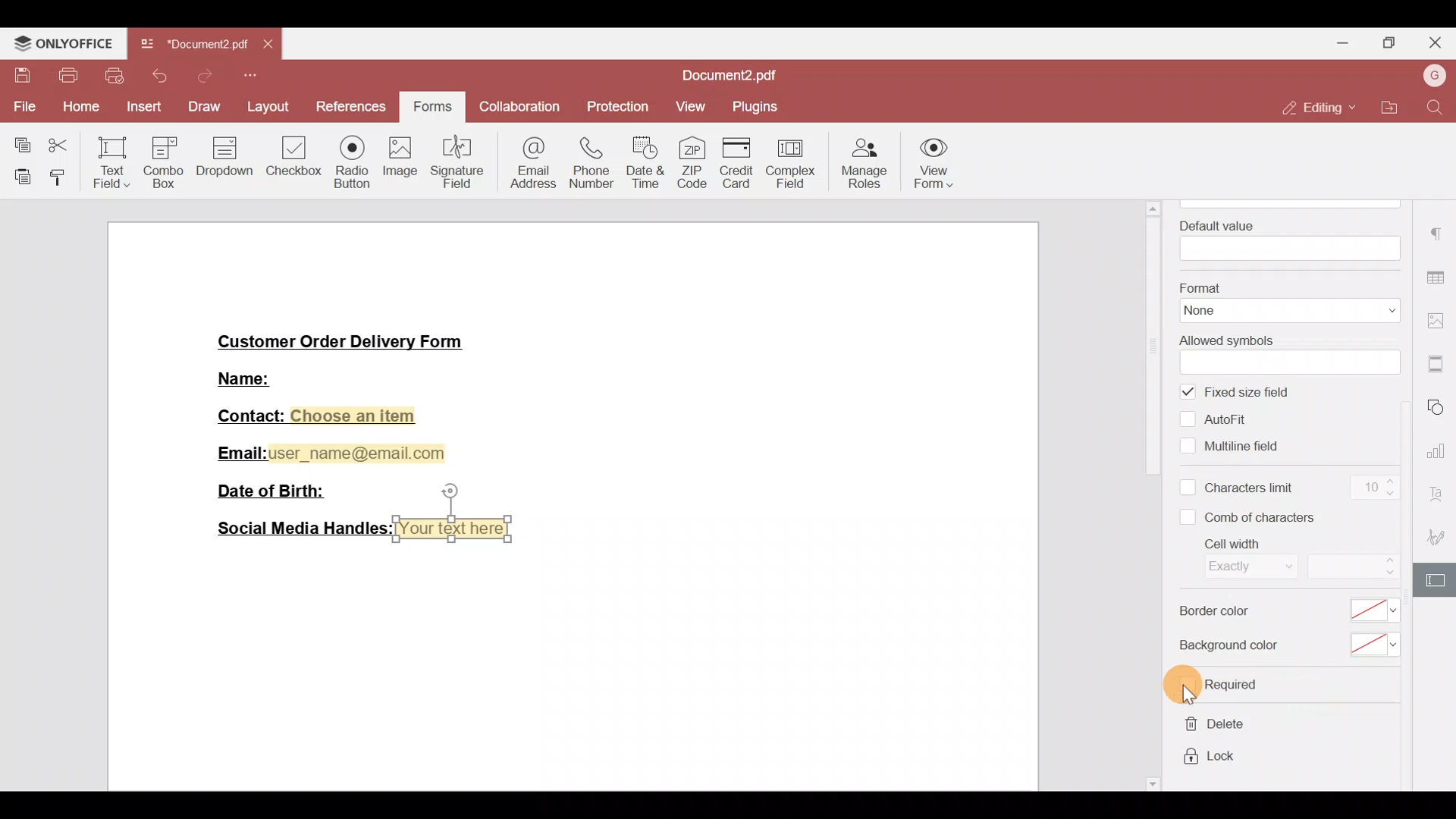  What do you see at coordinates (1436, 108) in the screenshot?
I see `Find` at bounding box center [1436, 108].